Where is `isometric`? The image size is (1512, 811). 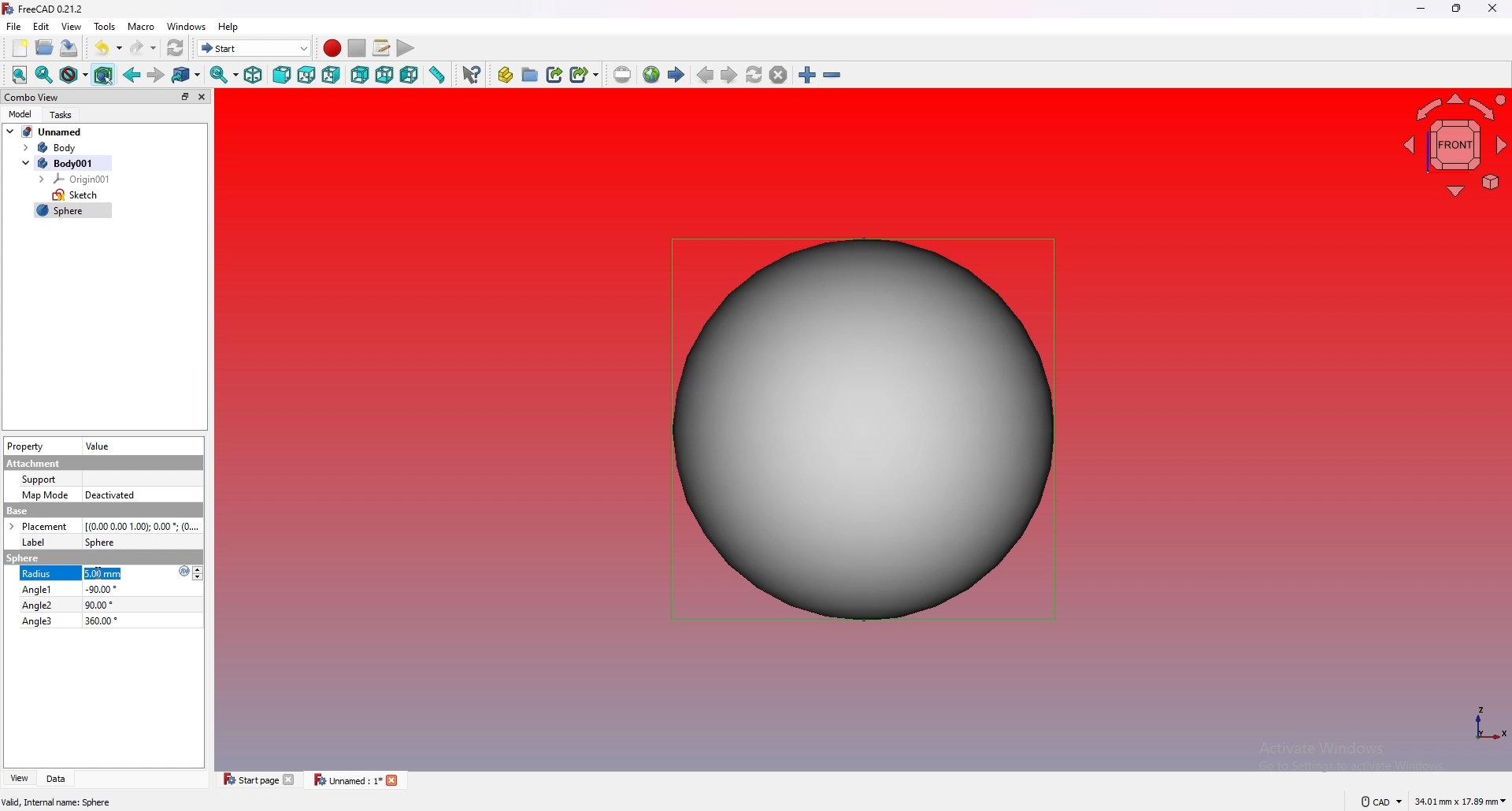 isometric is located at coordinates (253, 75).